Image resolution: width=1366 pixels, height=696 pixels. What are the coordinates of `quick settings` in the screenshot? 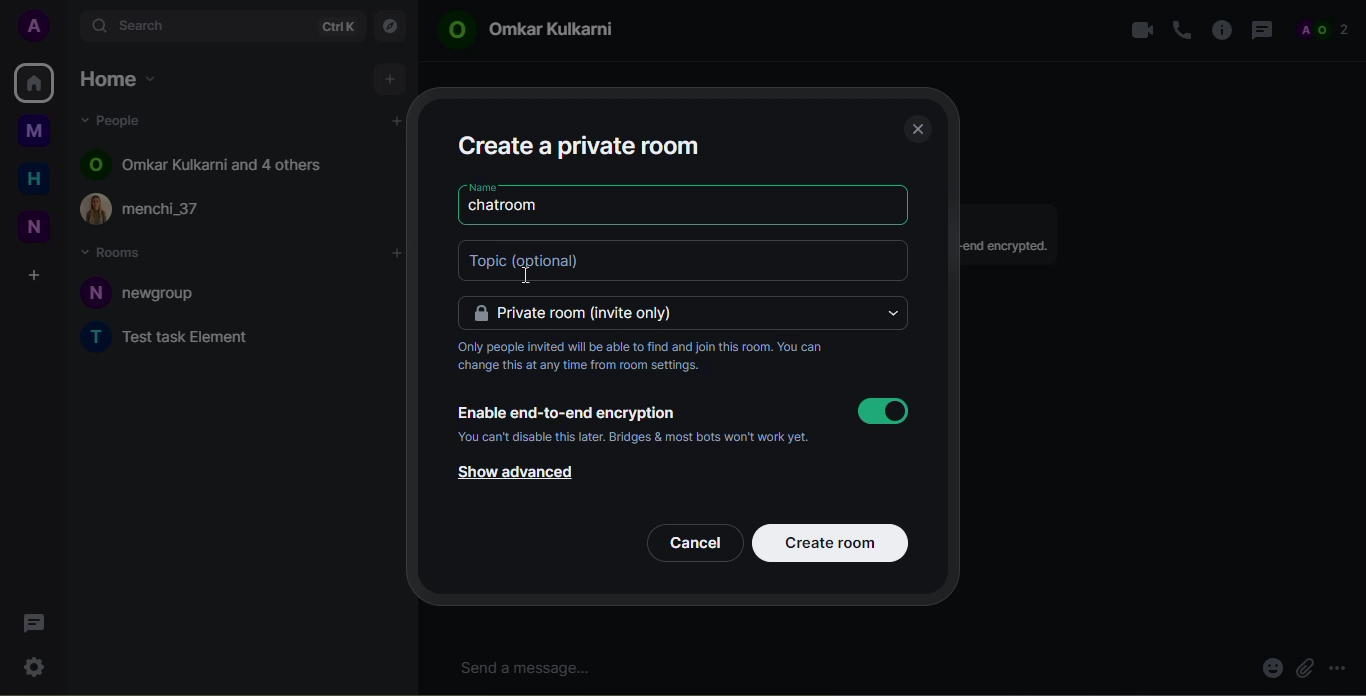 It's located at (33, 664).